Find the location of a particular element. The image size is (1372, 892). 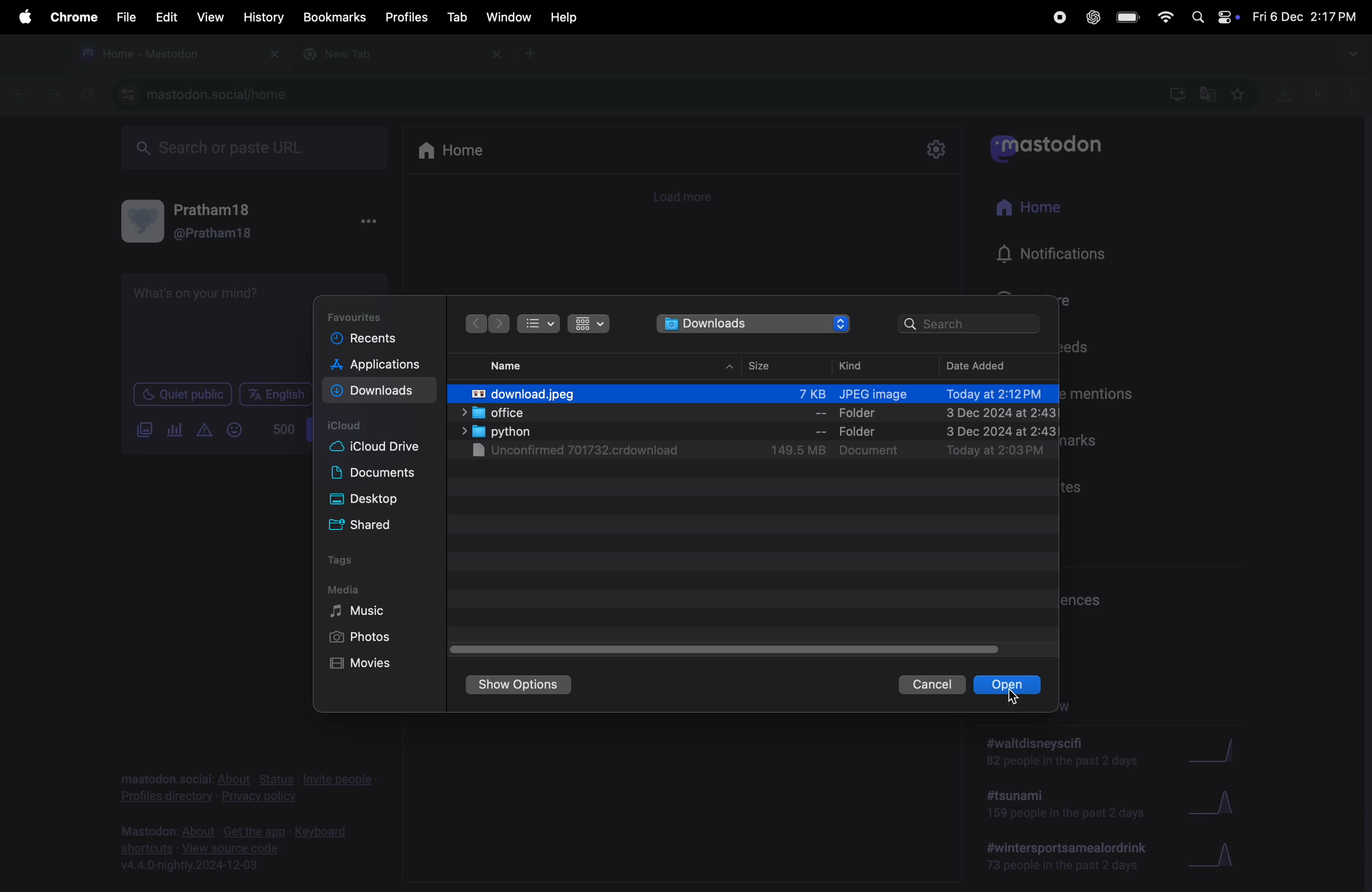

user profile is located at coordinates (205, 222).